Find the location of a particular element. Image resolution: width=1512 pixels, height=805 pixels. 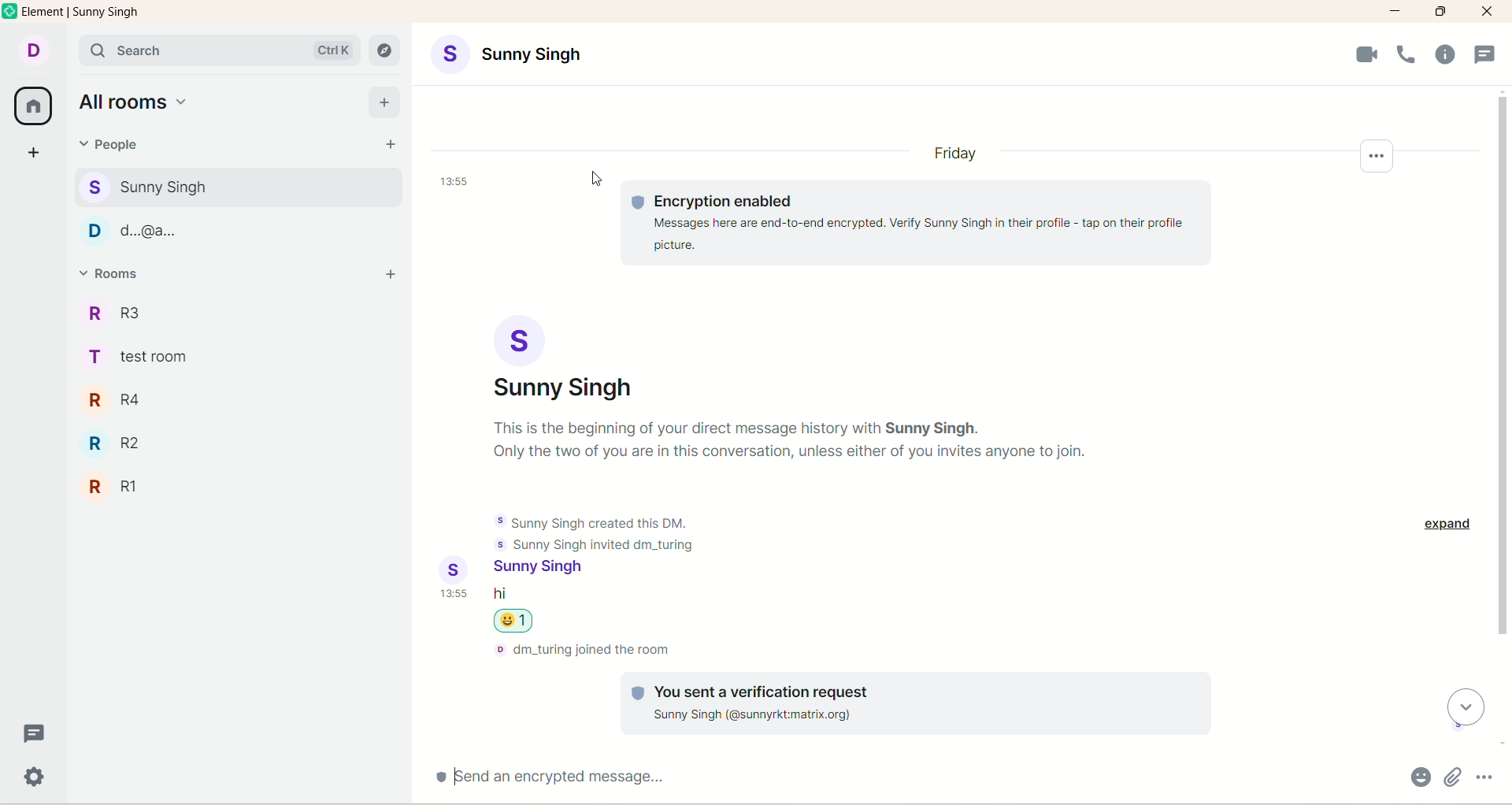

Indicates settings is located at coordinates (1377, 156).